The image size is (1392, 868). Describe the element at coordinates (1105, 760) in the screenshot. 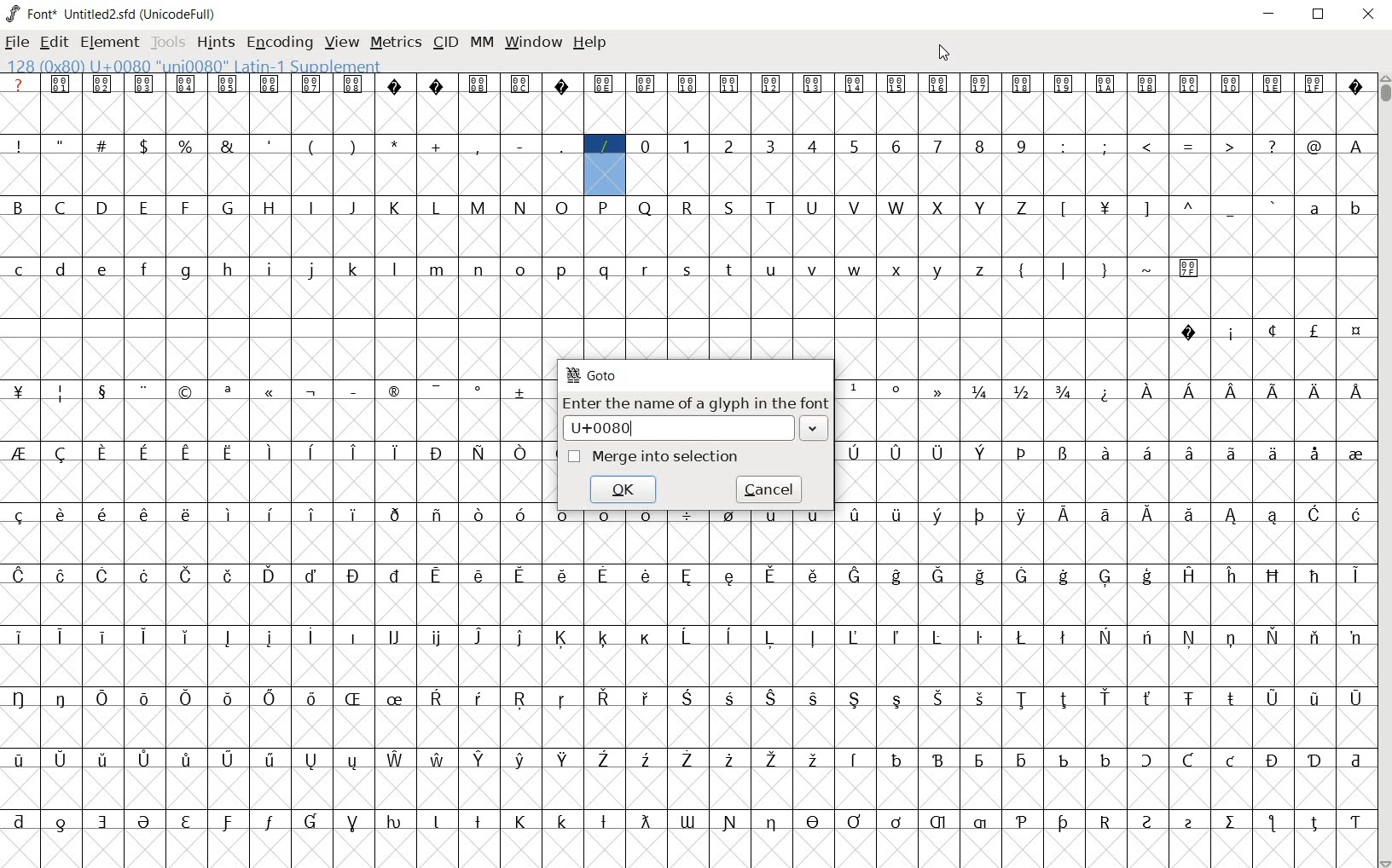

I see `glyph` at that location.